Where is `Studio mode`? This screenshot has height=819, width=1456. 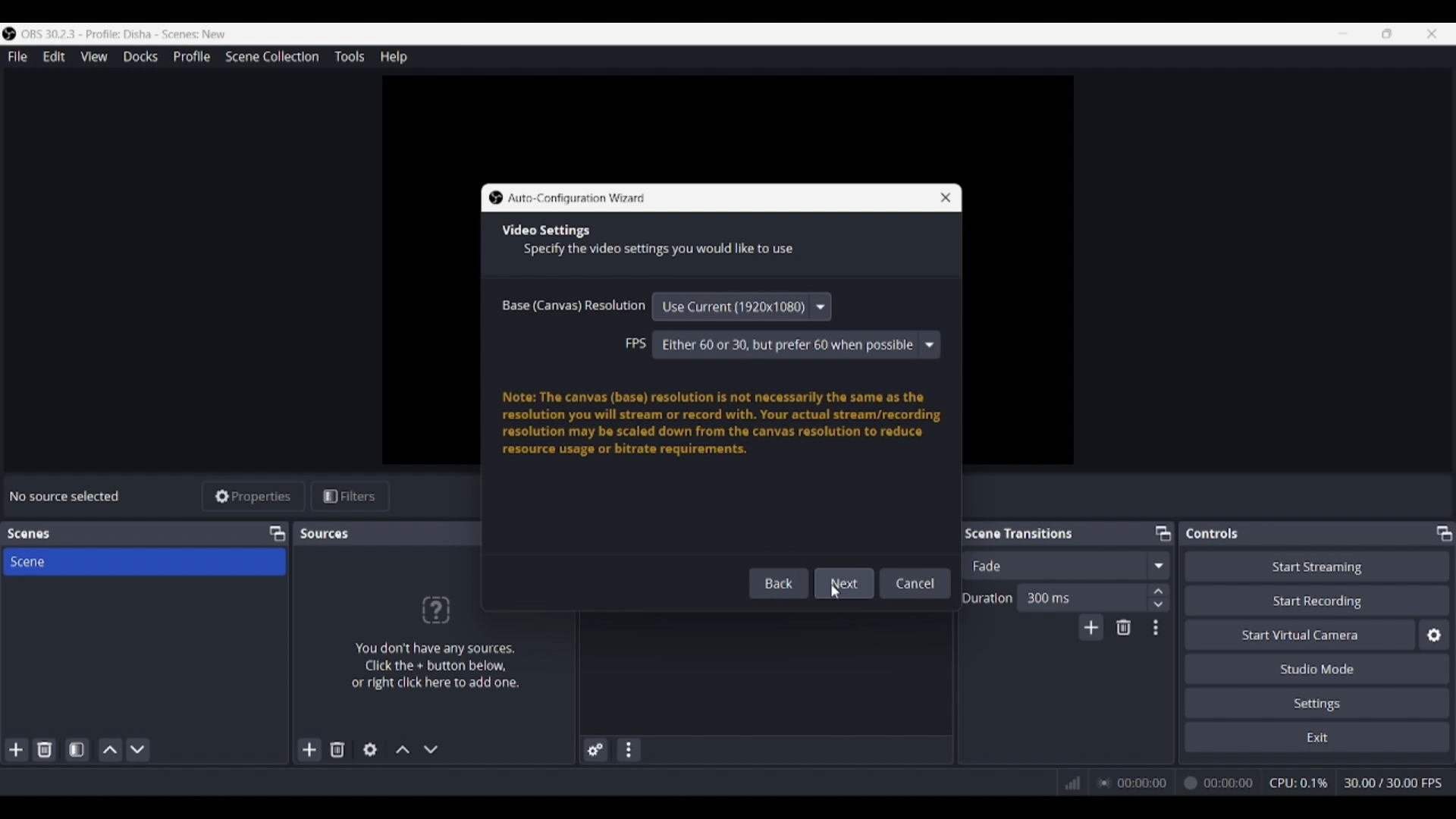
Studio mode is located at coordinates (1317, 668).